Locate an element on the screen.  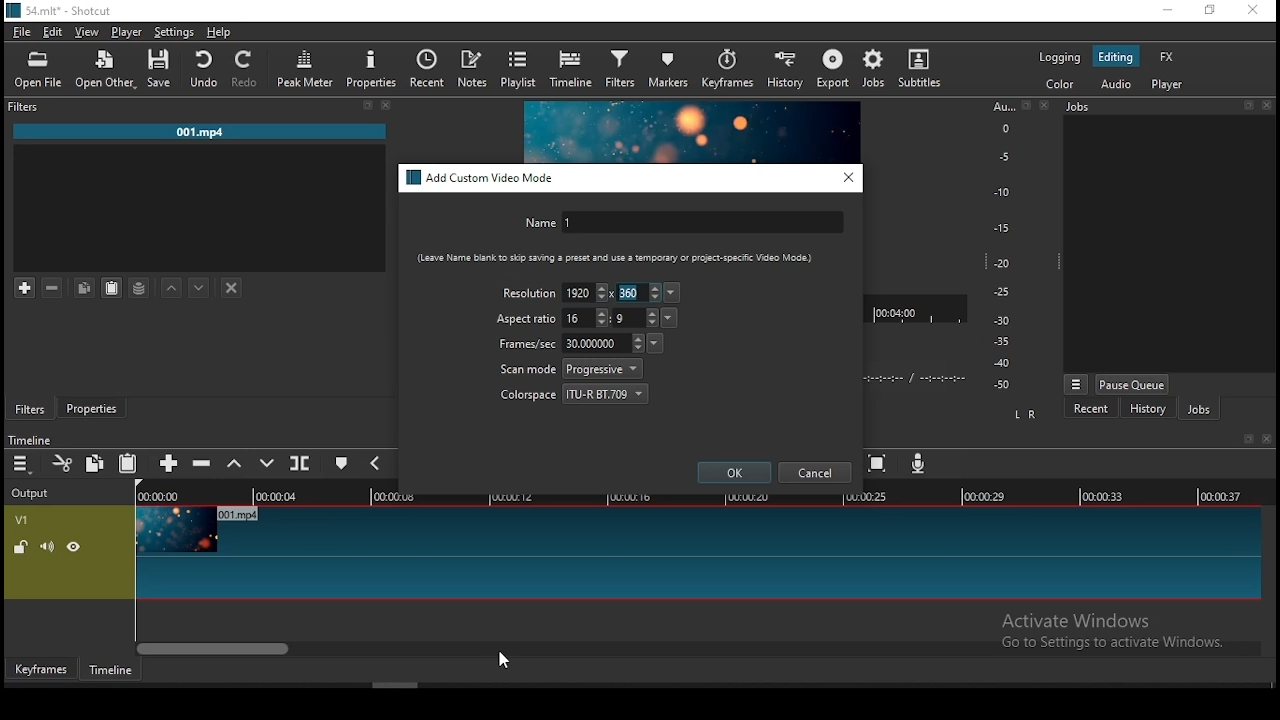
player is located at coordinates (128, 33).